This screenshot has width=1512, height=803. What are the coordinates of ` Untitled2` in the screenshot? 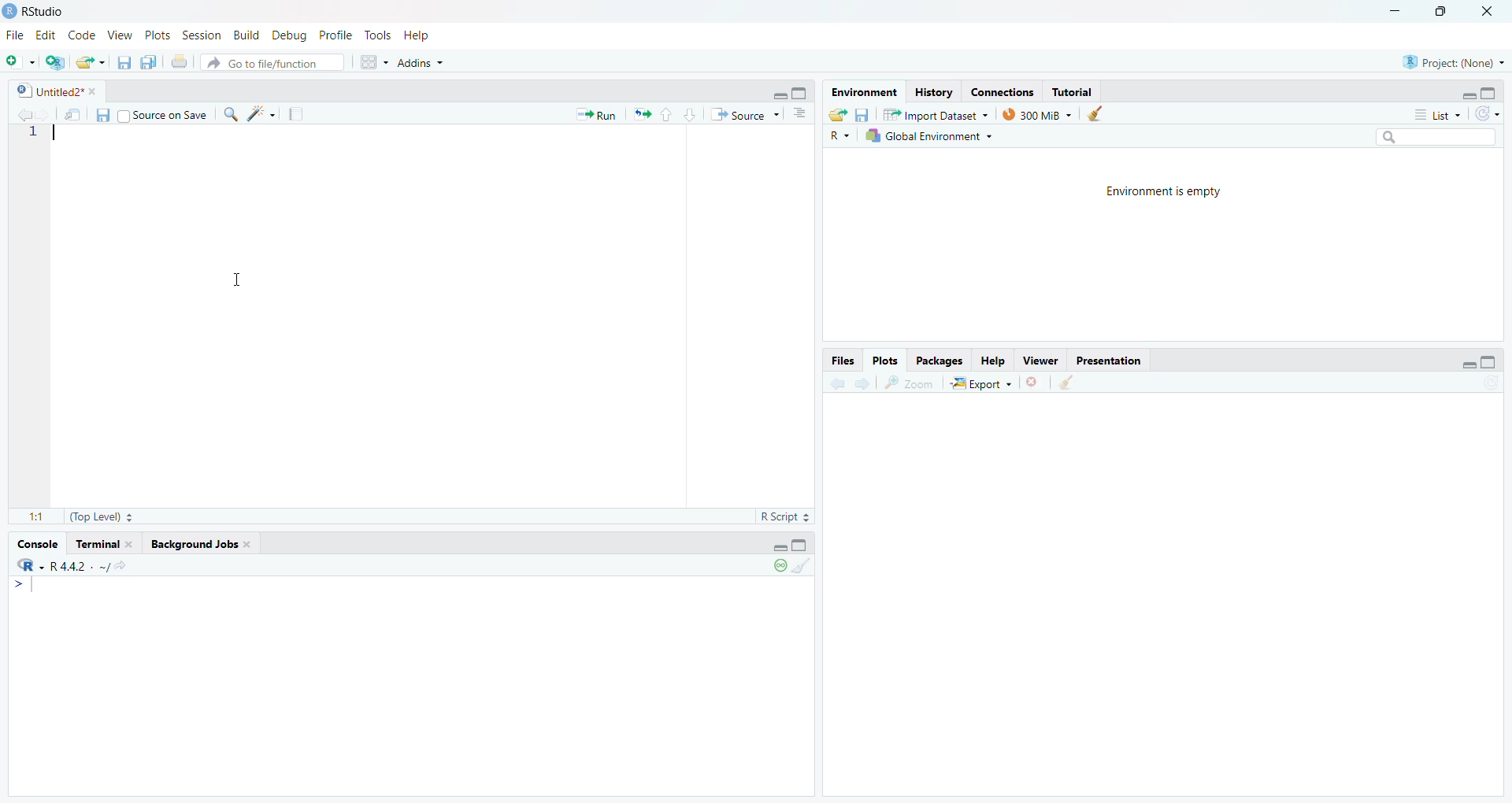 It's located at (60, 93).